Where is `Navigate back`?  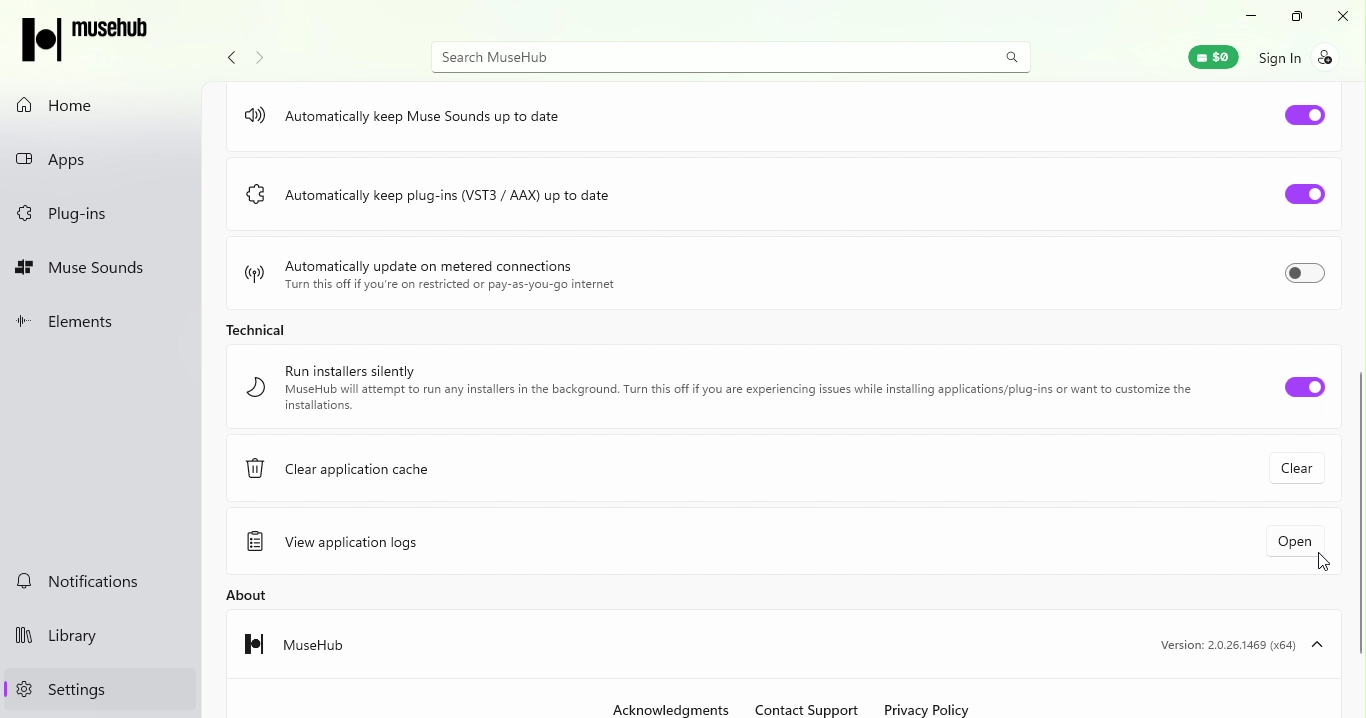
Navigate back is located at coordinates (227, 60).